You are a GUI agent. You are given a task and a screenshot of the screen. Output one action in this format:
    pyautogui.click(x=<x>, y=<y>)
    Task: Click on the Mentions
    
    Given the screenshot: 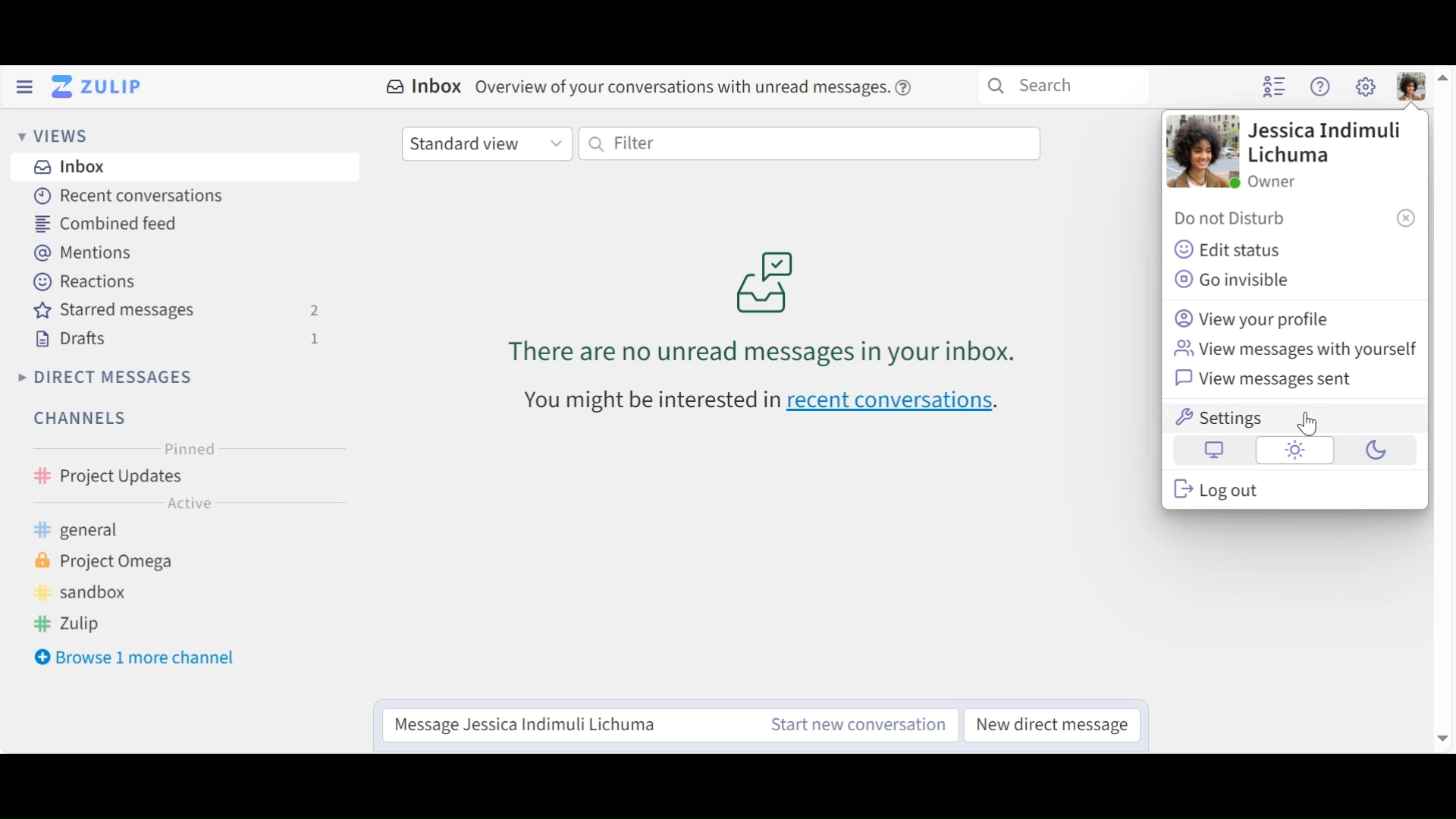 What is the action you would take?
    pyautogui.click(x=85, y=253)
    